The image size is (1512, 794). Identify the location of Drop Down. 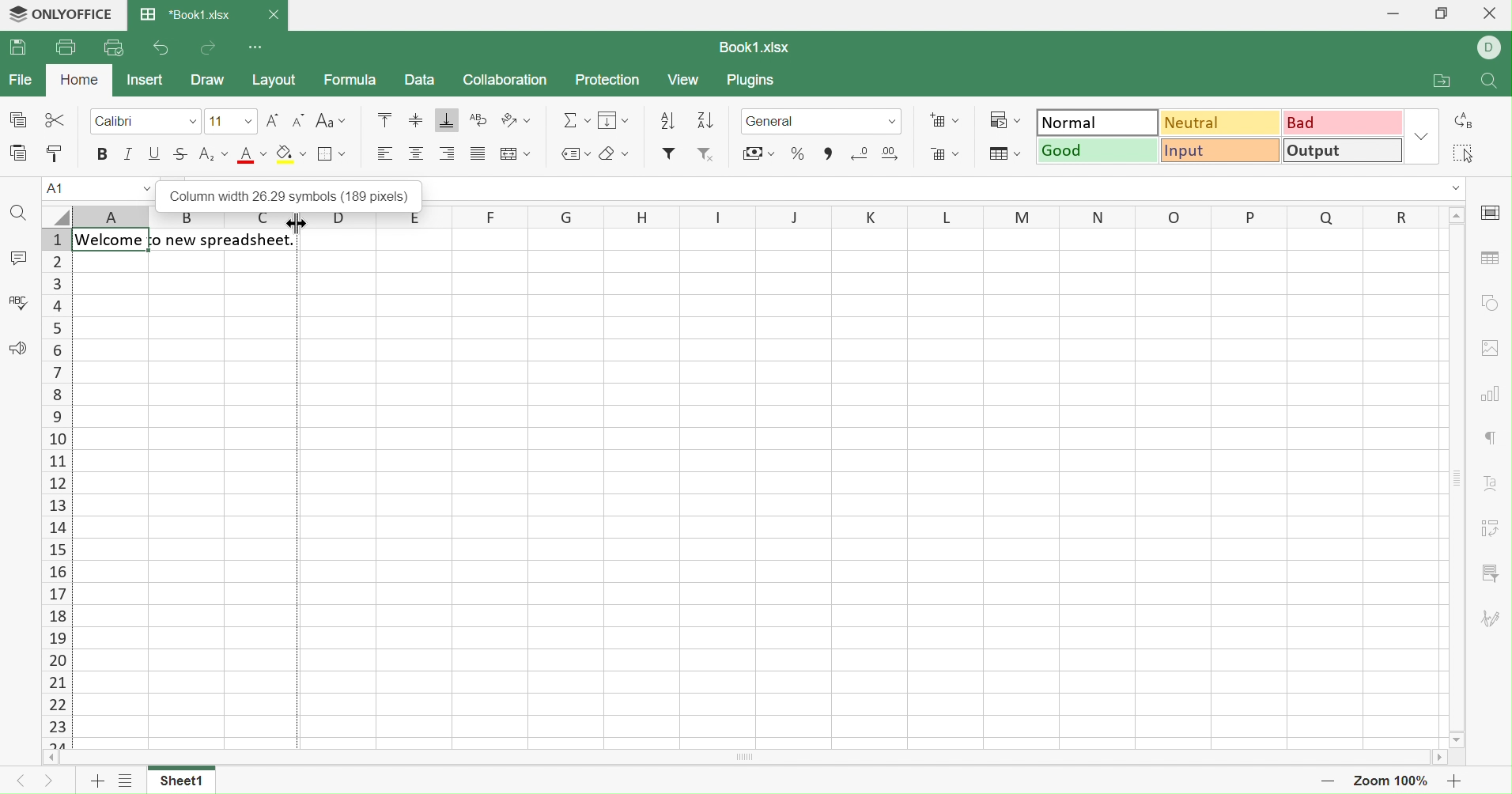
(1453, 189).